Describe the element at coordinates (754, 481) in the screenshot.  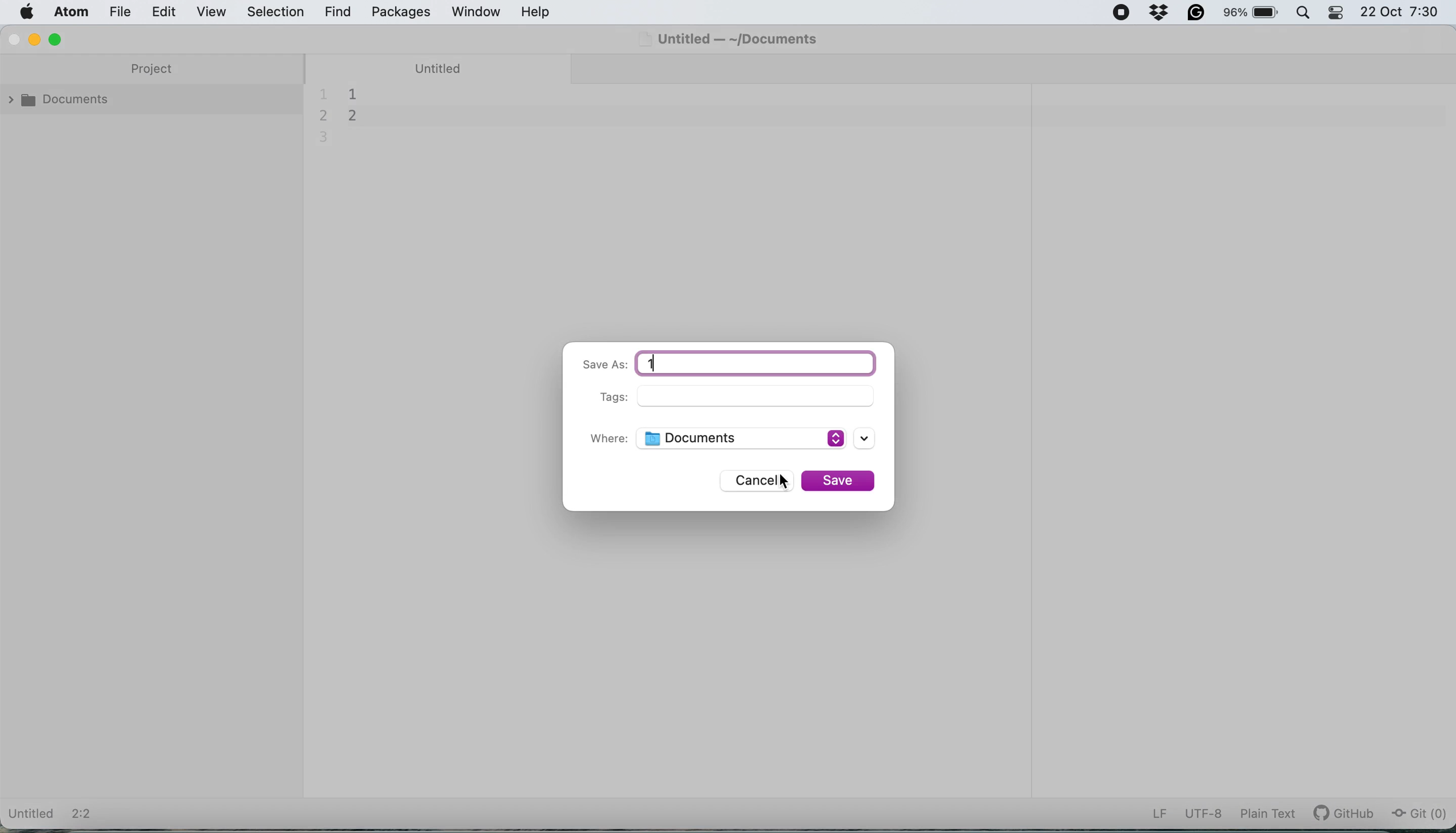
I see `cancel` at that location.